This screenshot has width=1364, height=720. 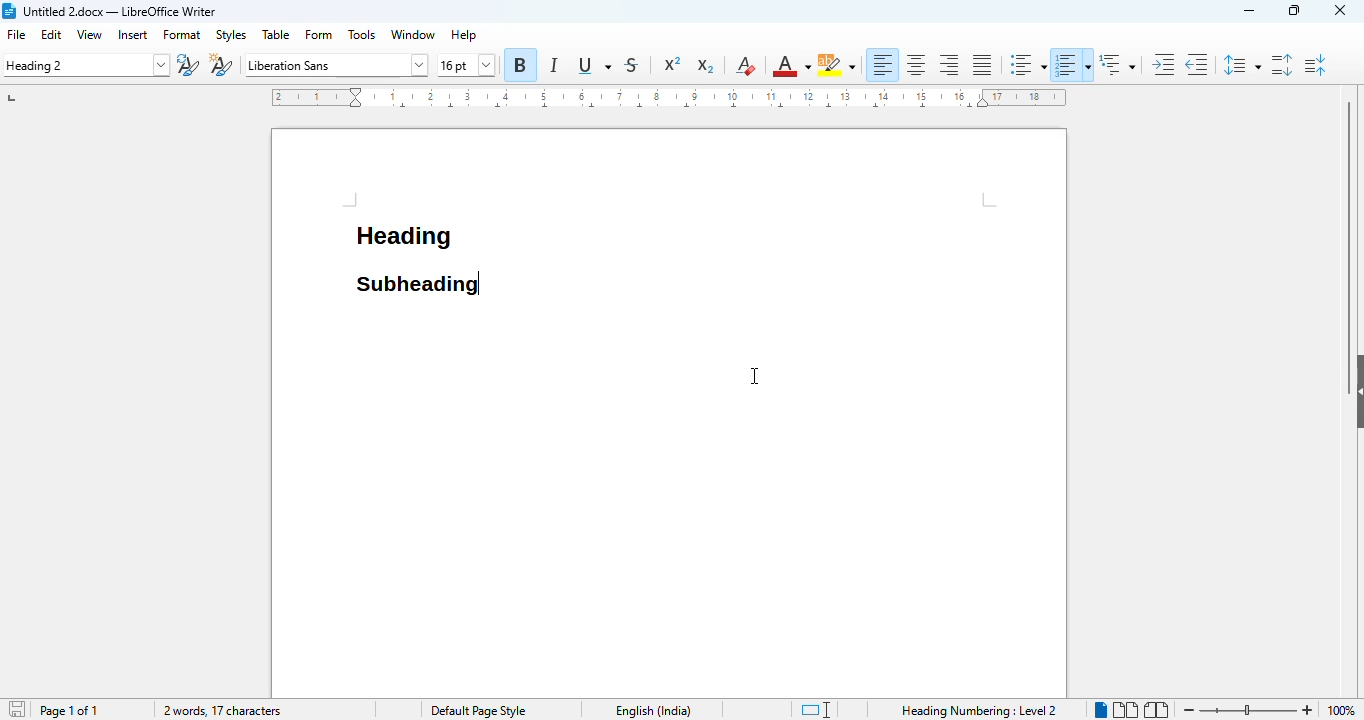 I want to click on ruler, so click(x=668, y=97).